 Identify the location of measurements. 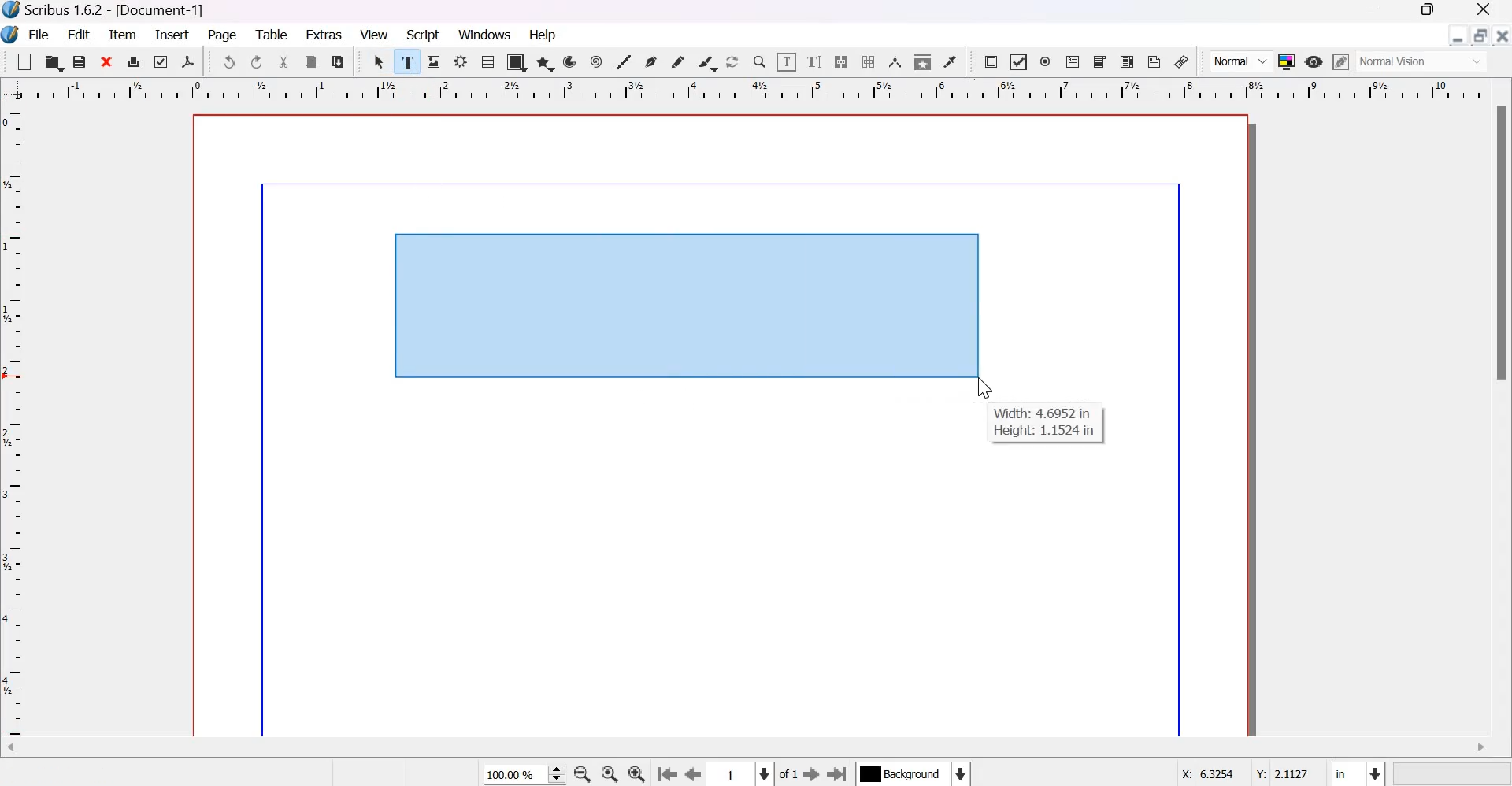
(895, 61).